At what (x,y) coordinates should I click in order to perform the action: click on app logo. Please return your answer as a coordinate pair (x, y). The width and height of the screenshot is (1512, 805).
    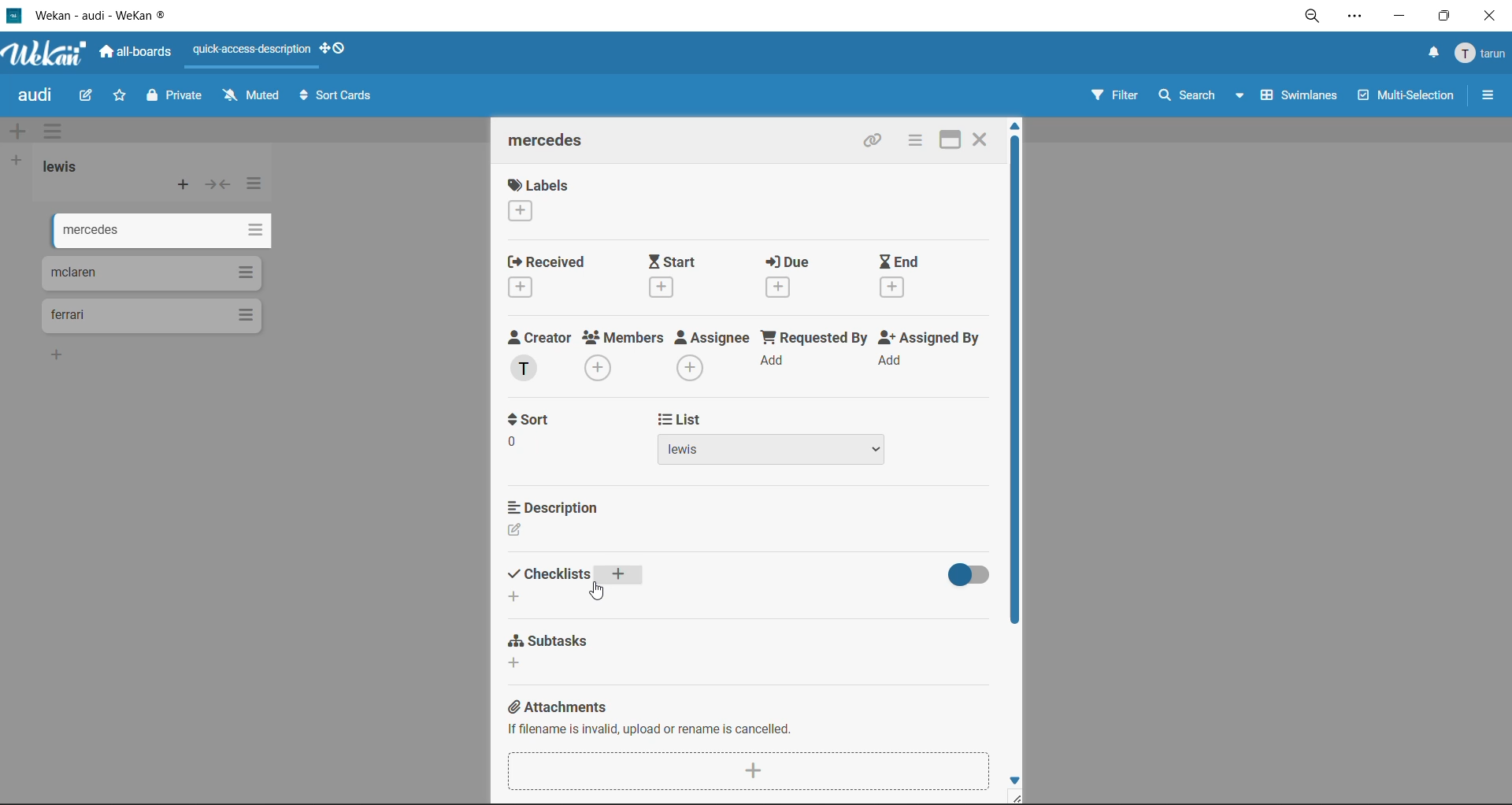
    Looking at the image, I should click on (43, 55).